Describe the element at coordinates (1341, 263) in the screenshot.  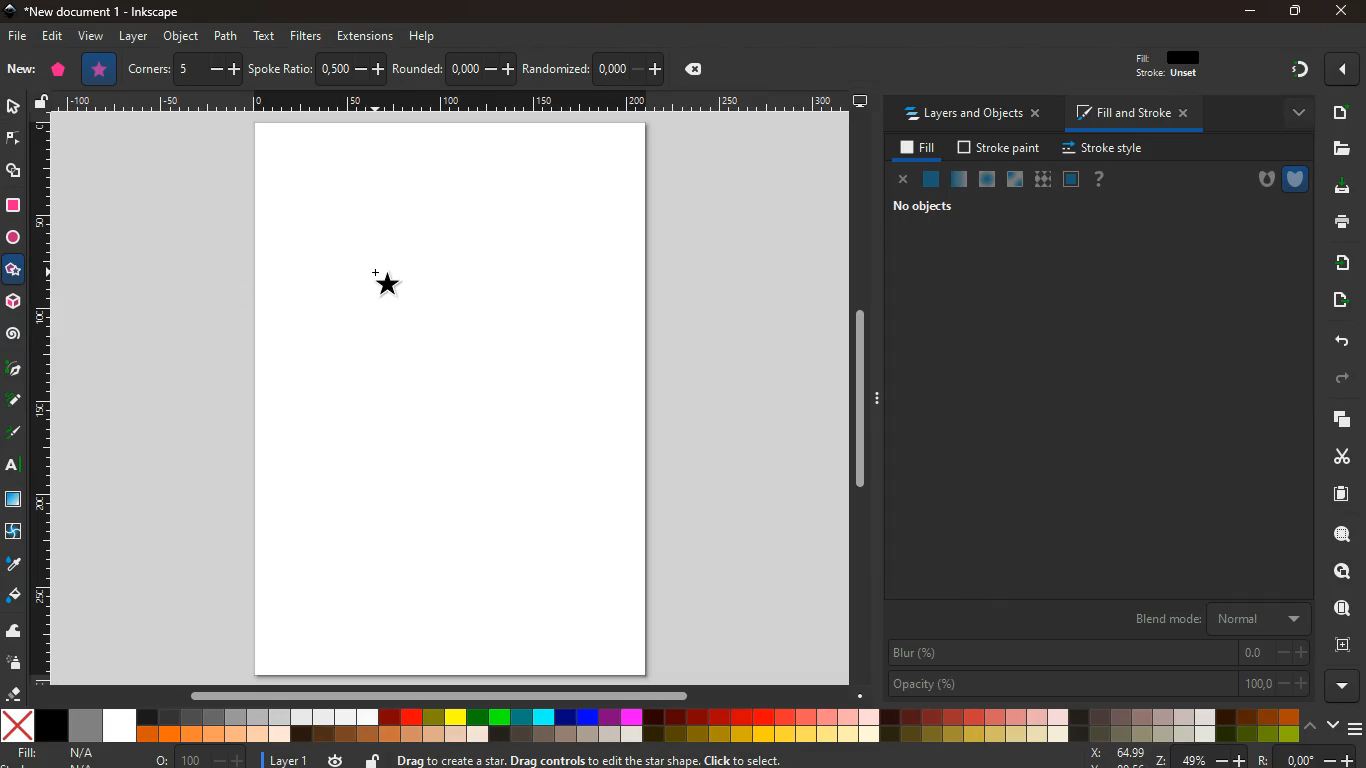
I see `send` at that location.